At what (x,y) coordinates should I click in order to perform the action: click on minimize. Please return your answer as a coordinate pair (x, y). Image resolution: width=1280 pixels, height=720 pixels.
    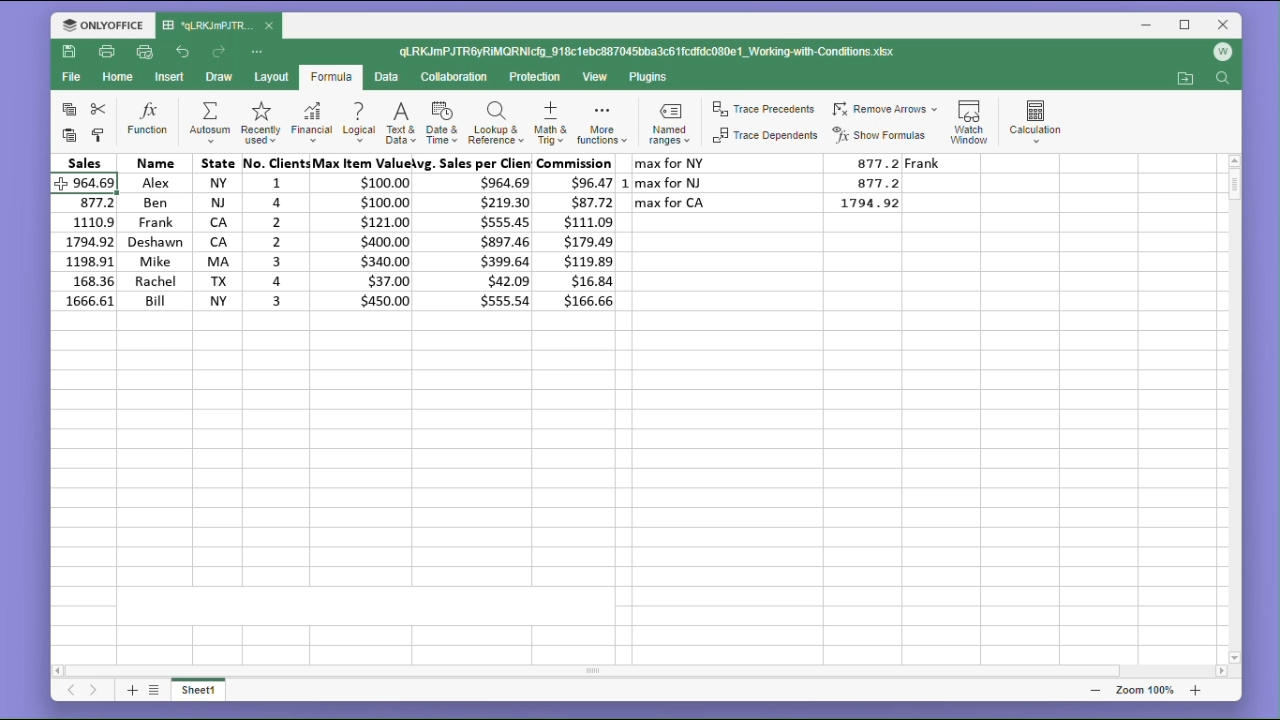
    Looking at the image, I should click on (1149, 27).